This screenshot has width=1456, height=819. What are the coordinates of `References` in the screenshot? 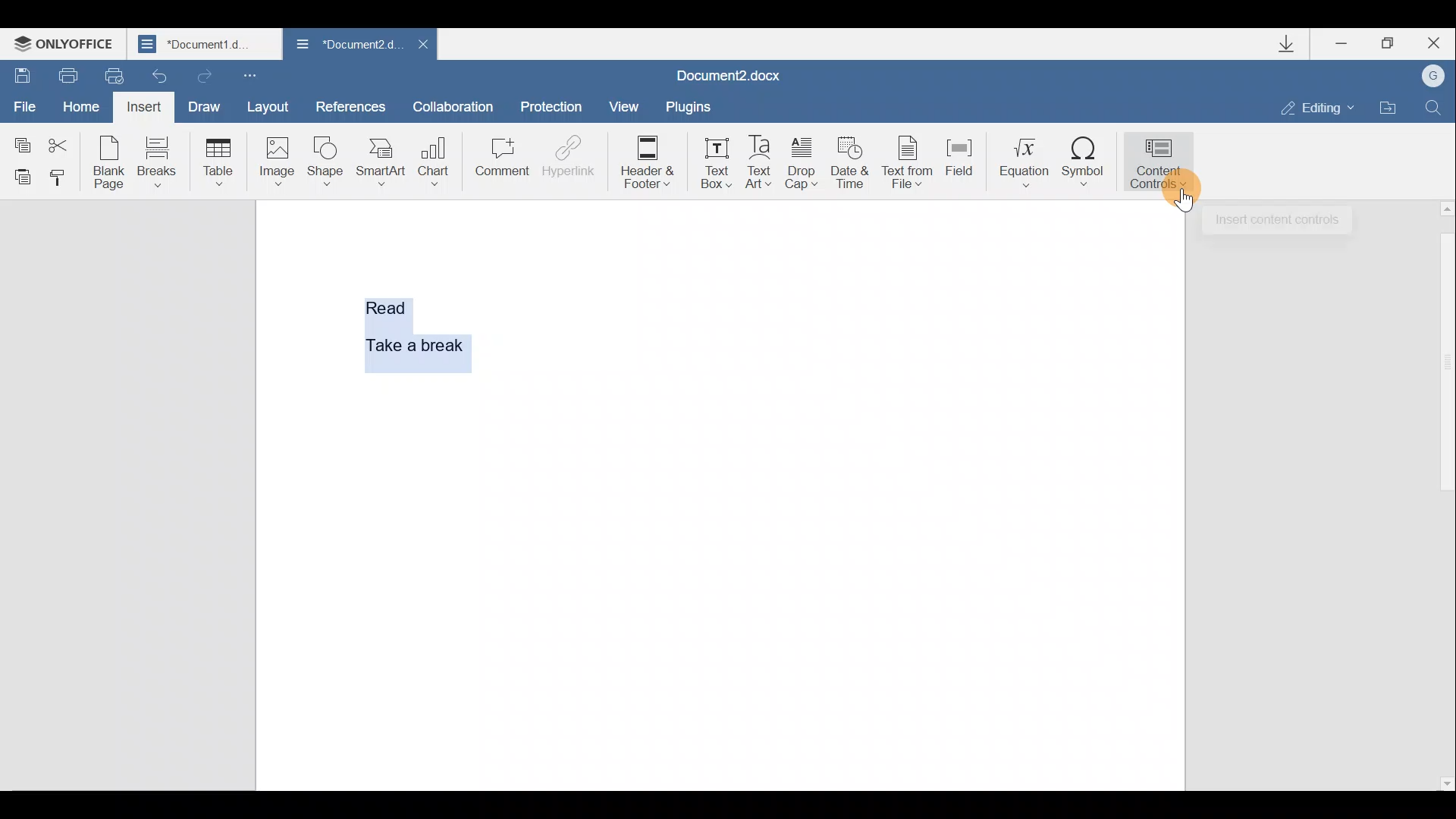 It's located at (351, 105).